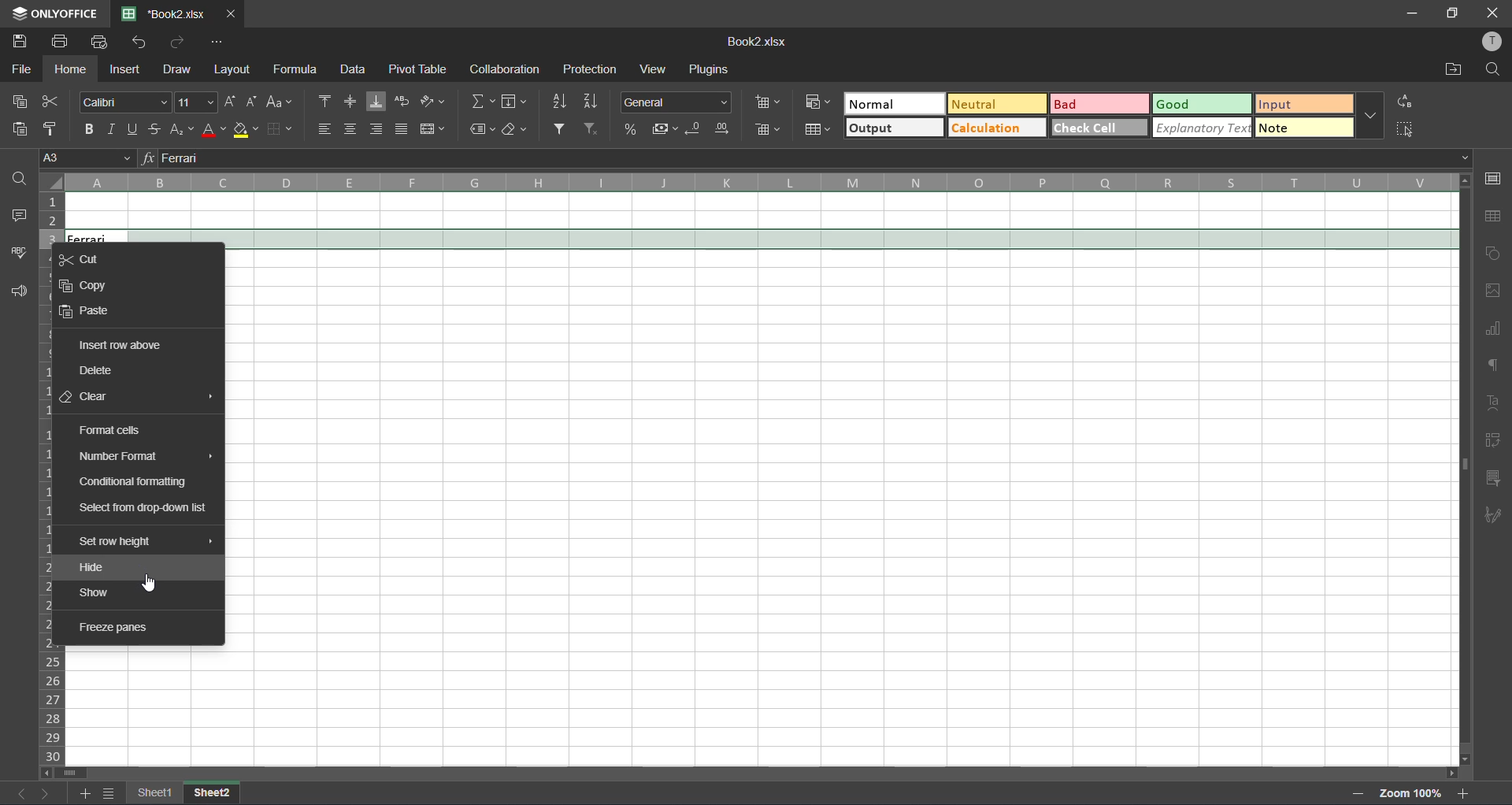 The image size is (1512, 805). What do you see at coordinates (198, 100) in the screenshot?
I see `font size` at bounding box center [198, 100].